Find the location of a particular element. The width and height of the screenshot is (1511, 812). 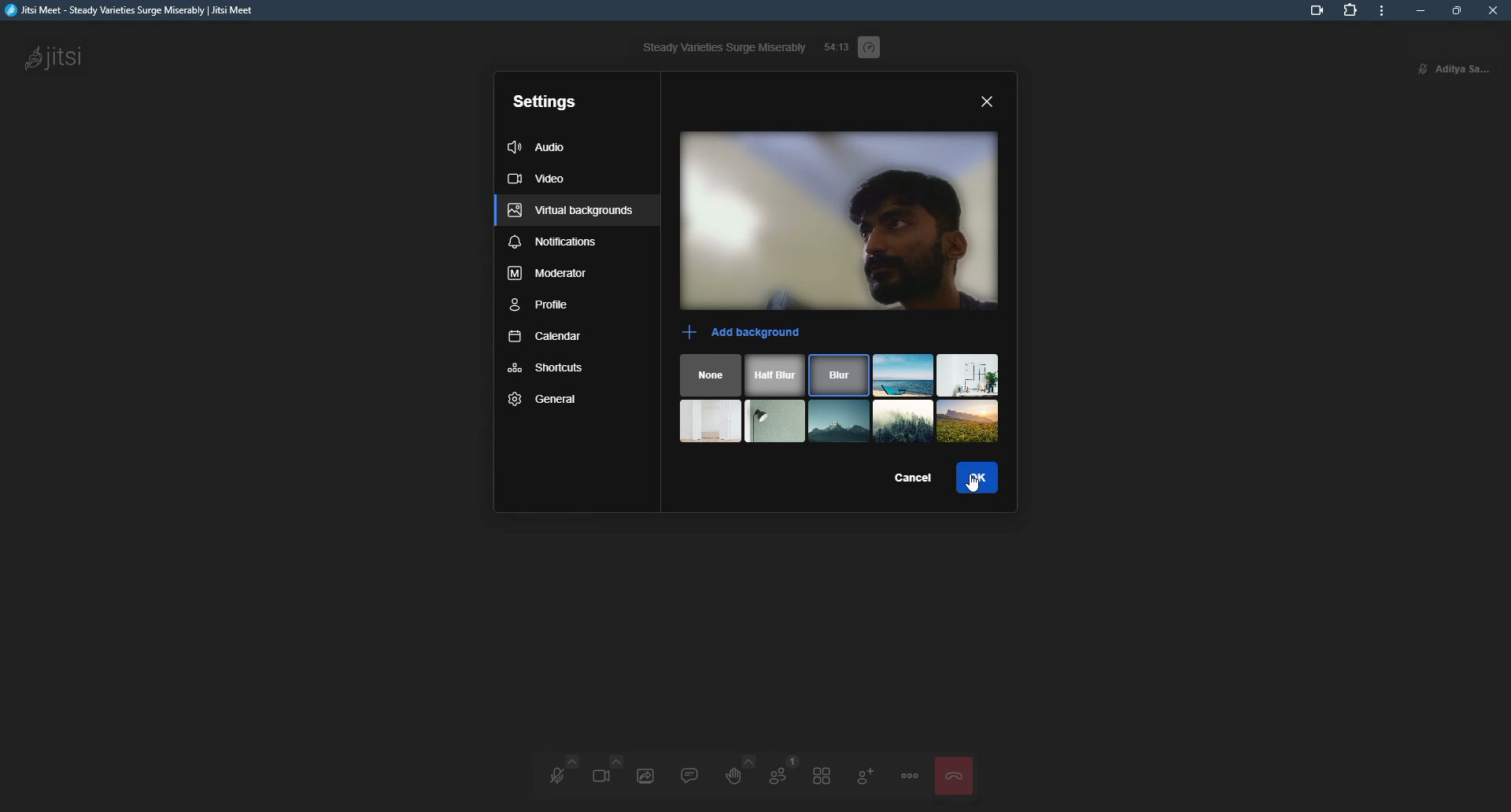

notifications is located at coordinates (552, 244).